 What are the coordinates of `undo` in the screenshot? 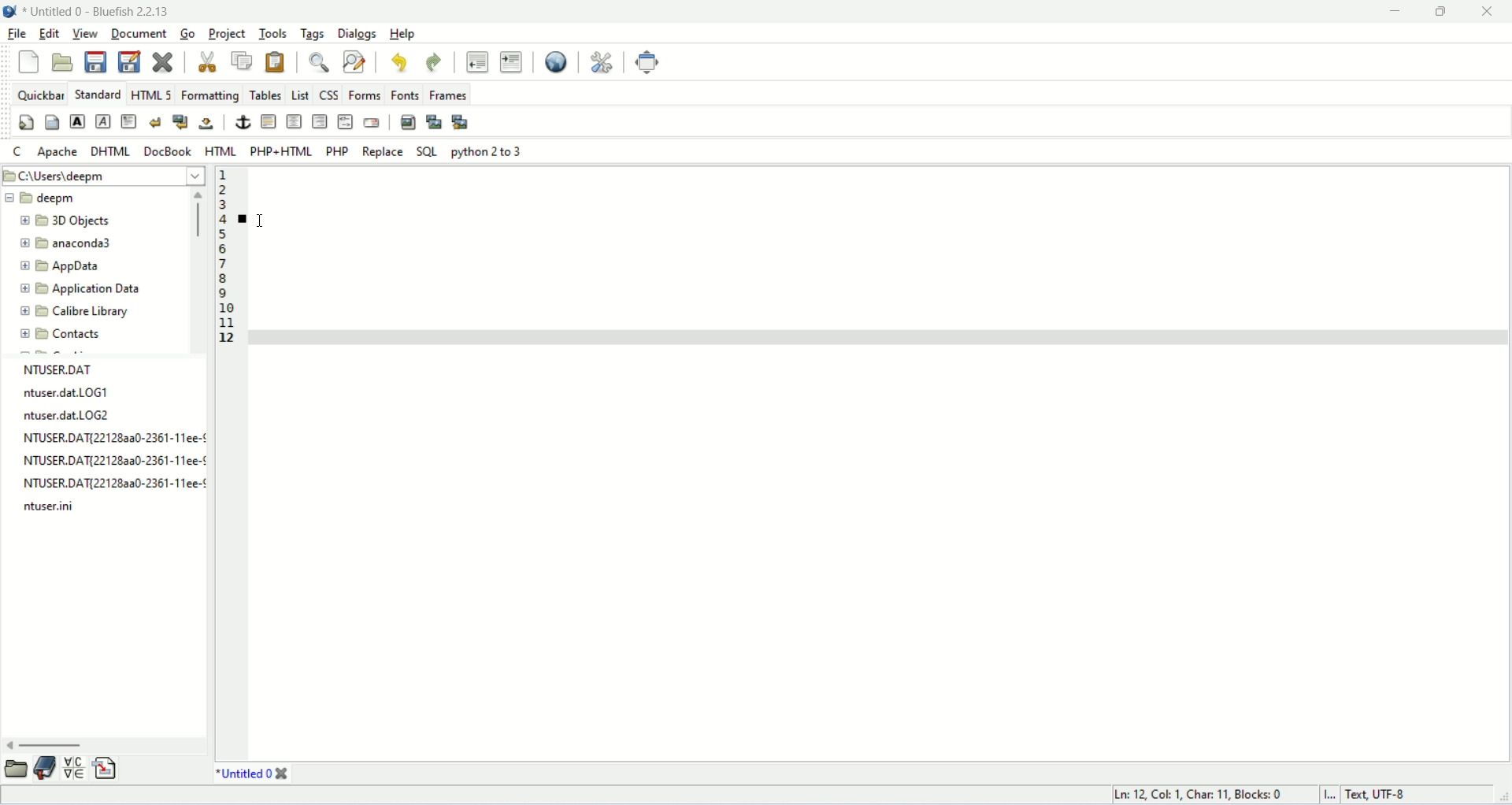 It's located at (398, 64).